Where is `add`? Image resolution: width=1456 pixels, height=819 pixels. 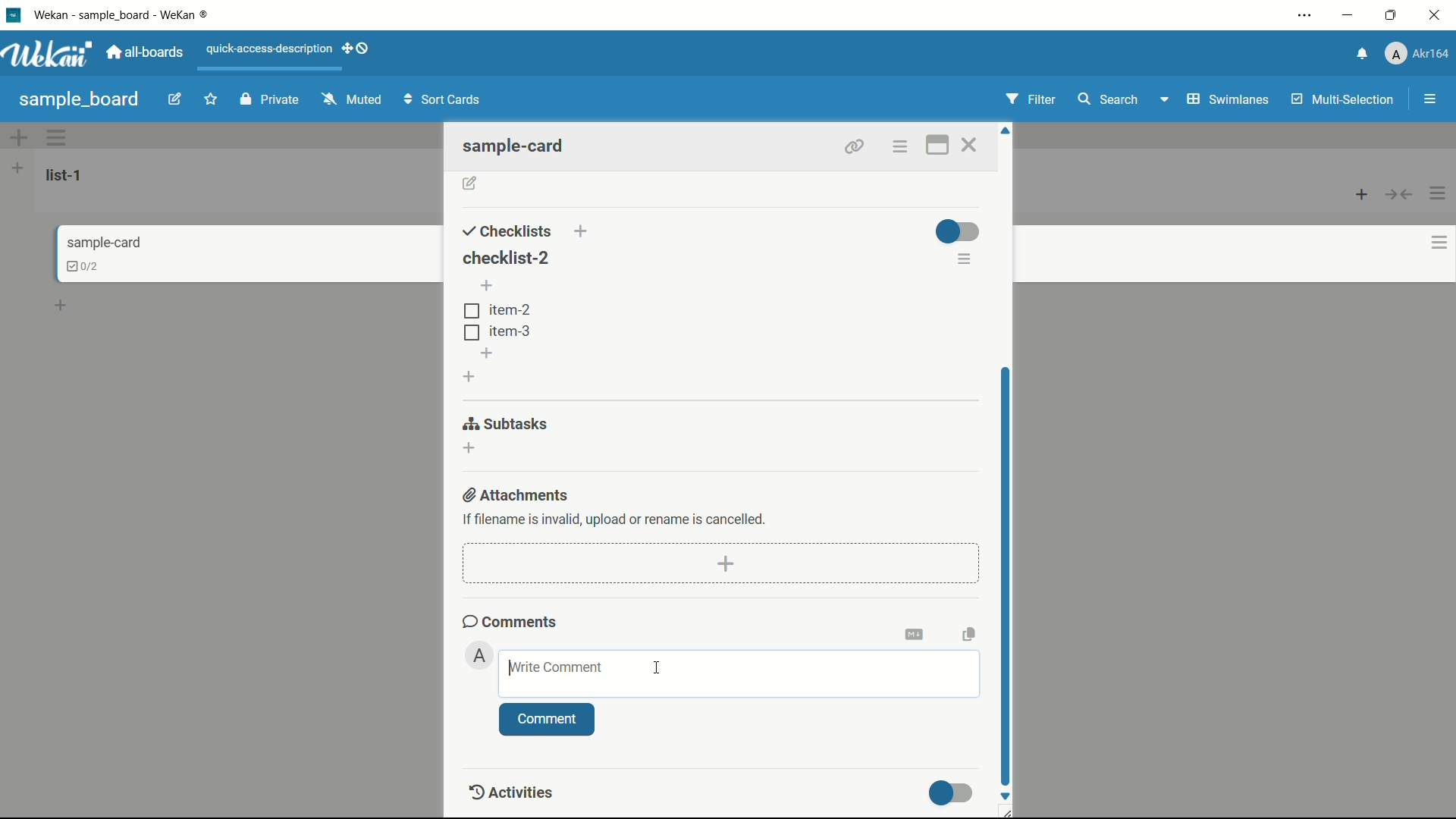 add is located at coordinates (63, 308).